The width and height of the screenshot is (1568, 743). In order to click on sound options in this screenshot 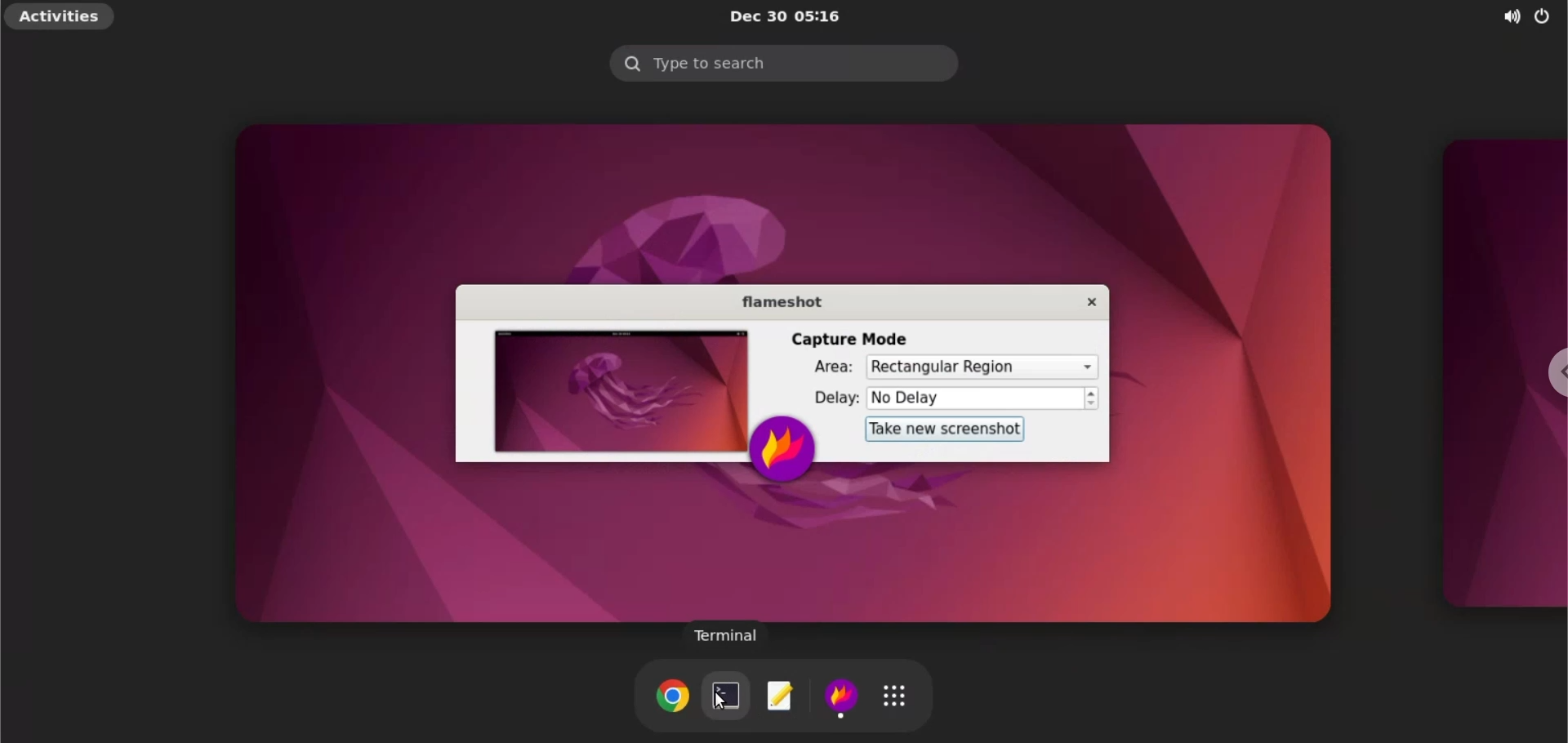, I will do `click(1508, 19)`.